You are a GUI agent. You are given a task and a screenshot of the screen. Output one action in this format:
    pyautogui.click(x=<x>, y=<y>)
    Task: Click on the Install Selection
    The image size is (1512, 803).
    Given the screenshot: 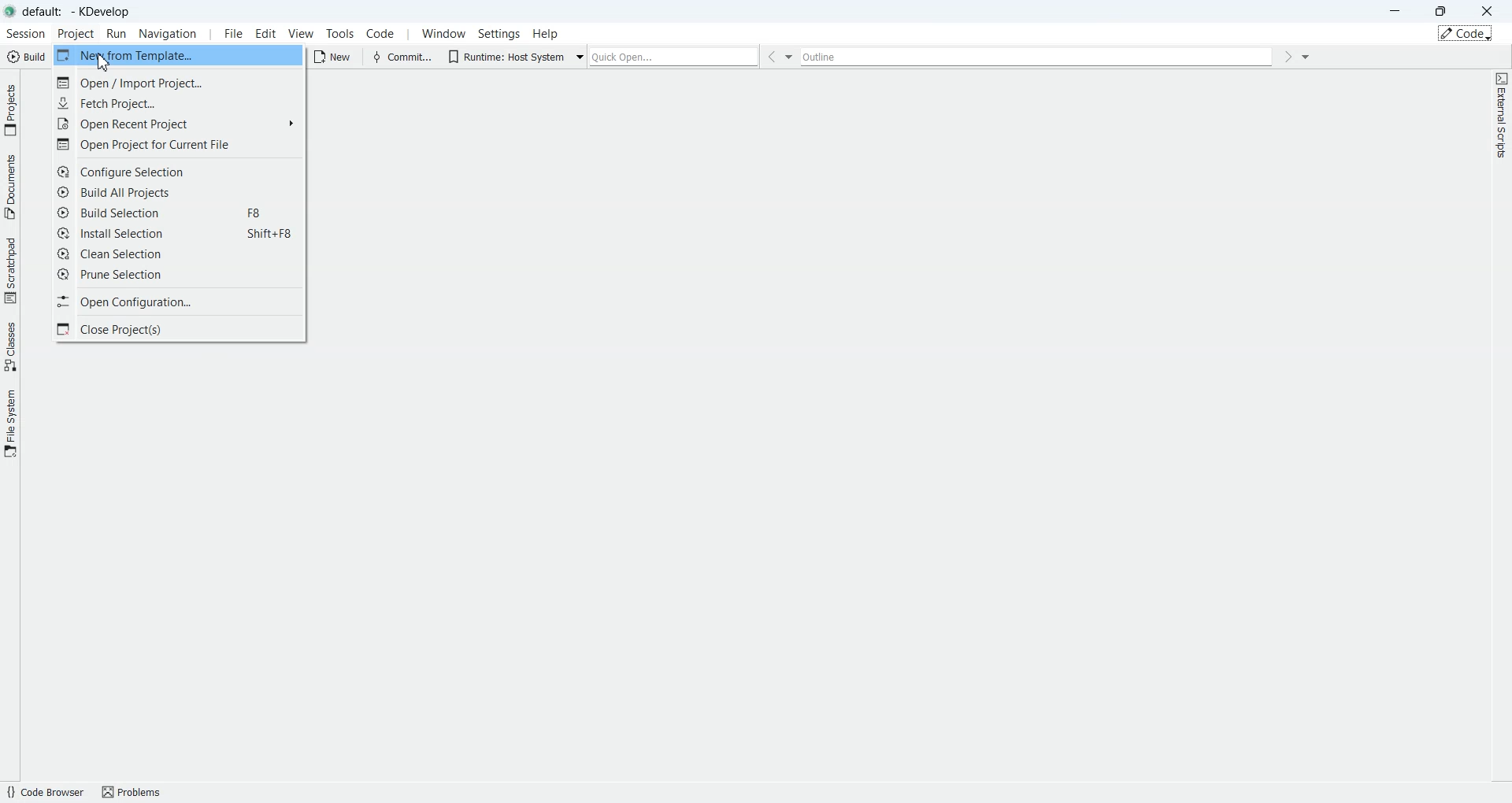 What is the action you would take?
    pyautogui.click(x=179, y=234)
    